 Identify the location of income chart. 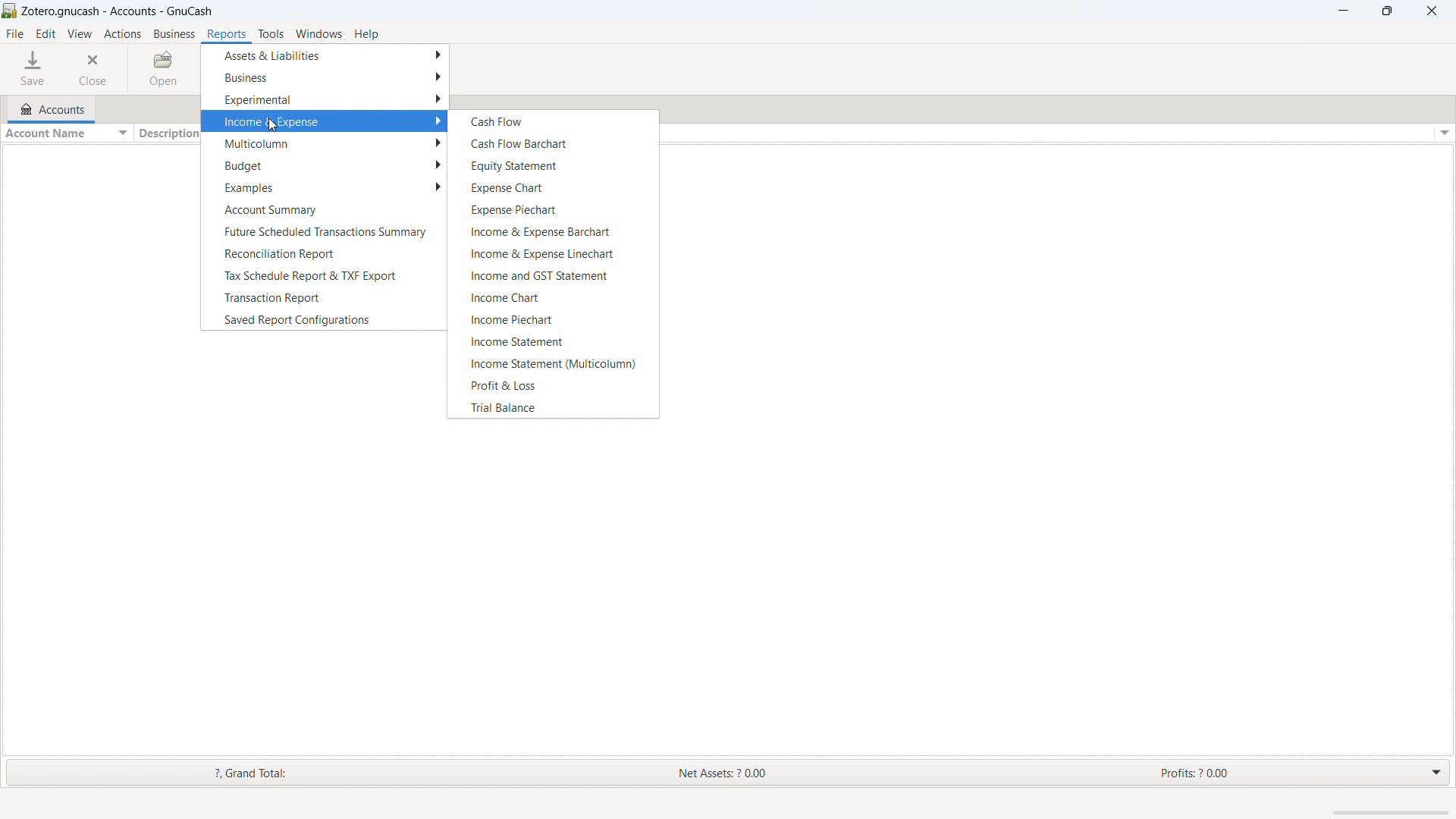
(552, 297).